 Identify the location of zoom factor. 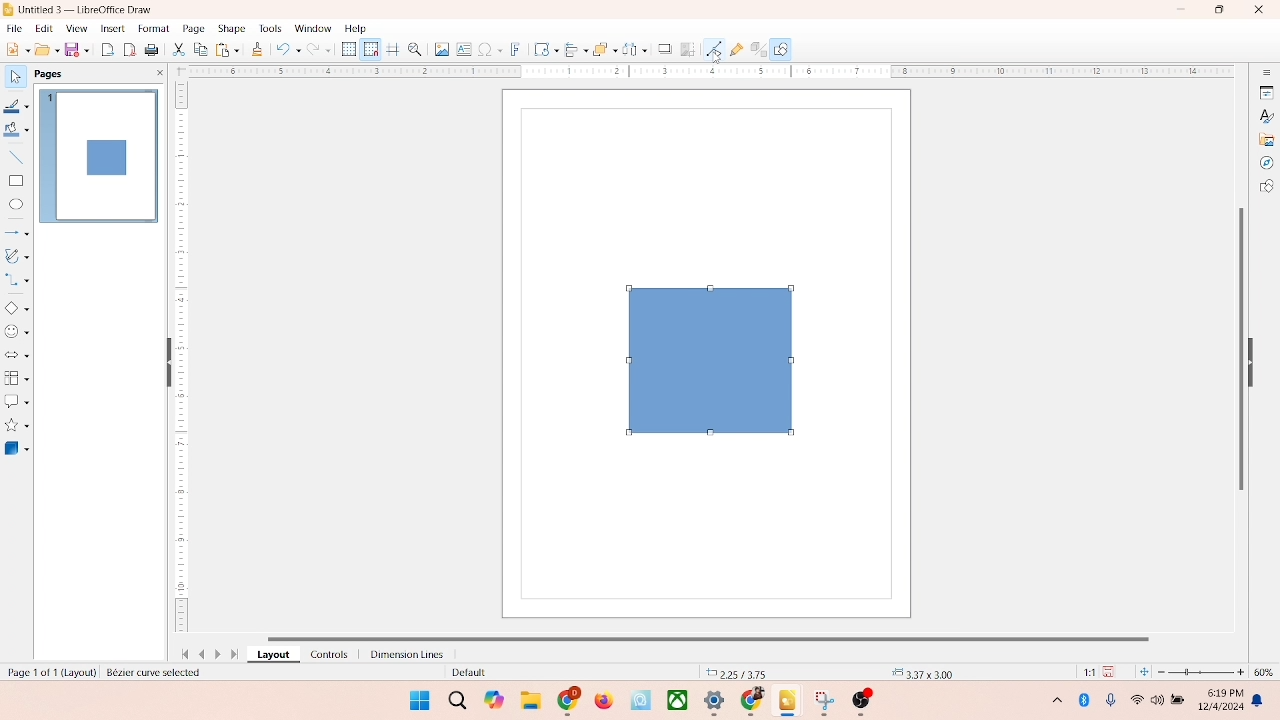
(1202, 672).